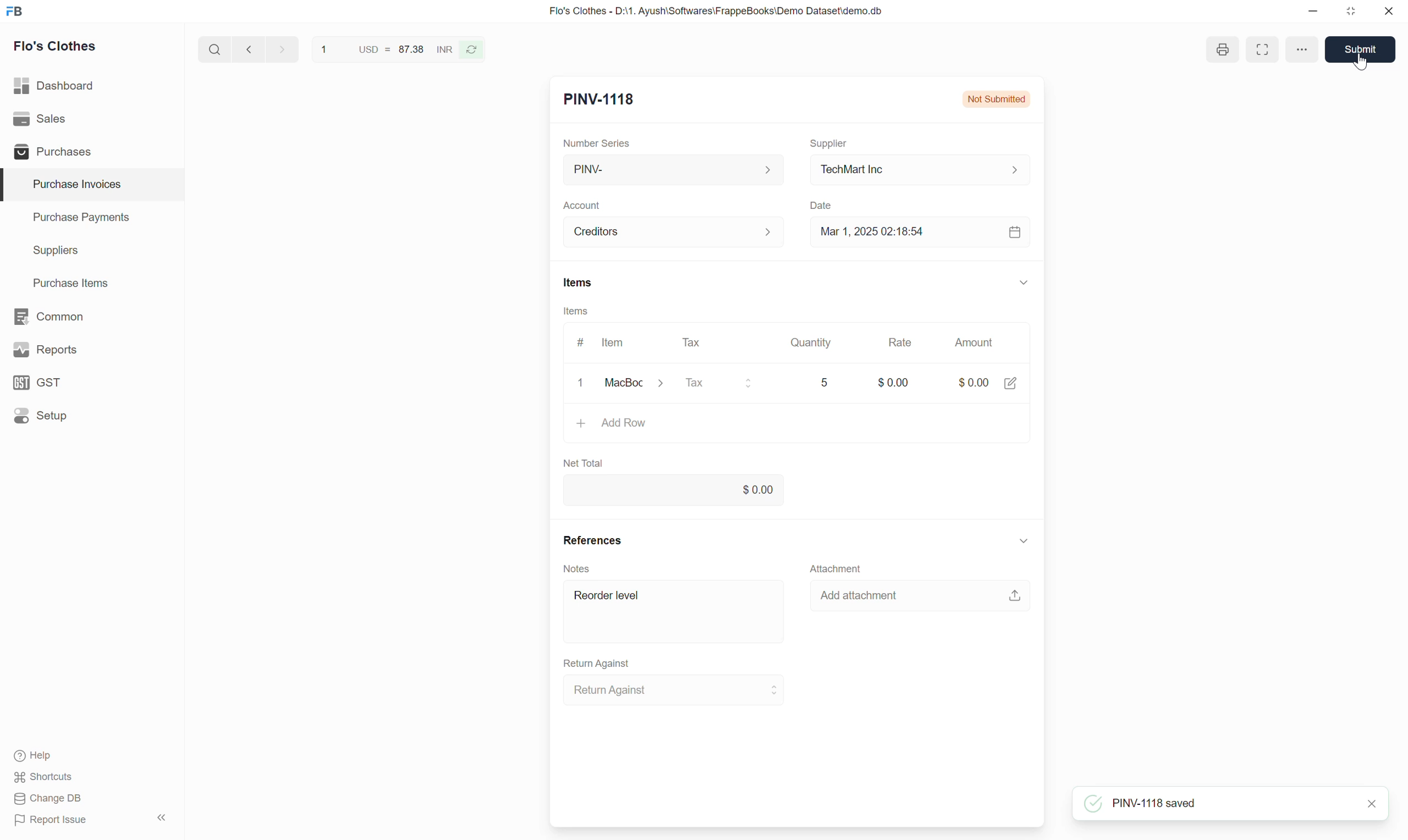 The width and height of the screenshot is (1408, 840). Describe the element at coordinates (828, 383) in the screenshot. I see `5` at that location.